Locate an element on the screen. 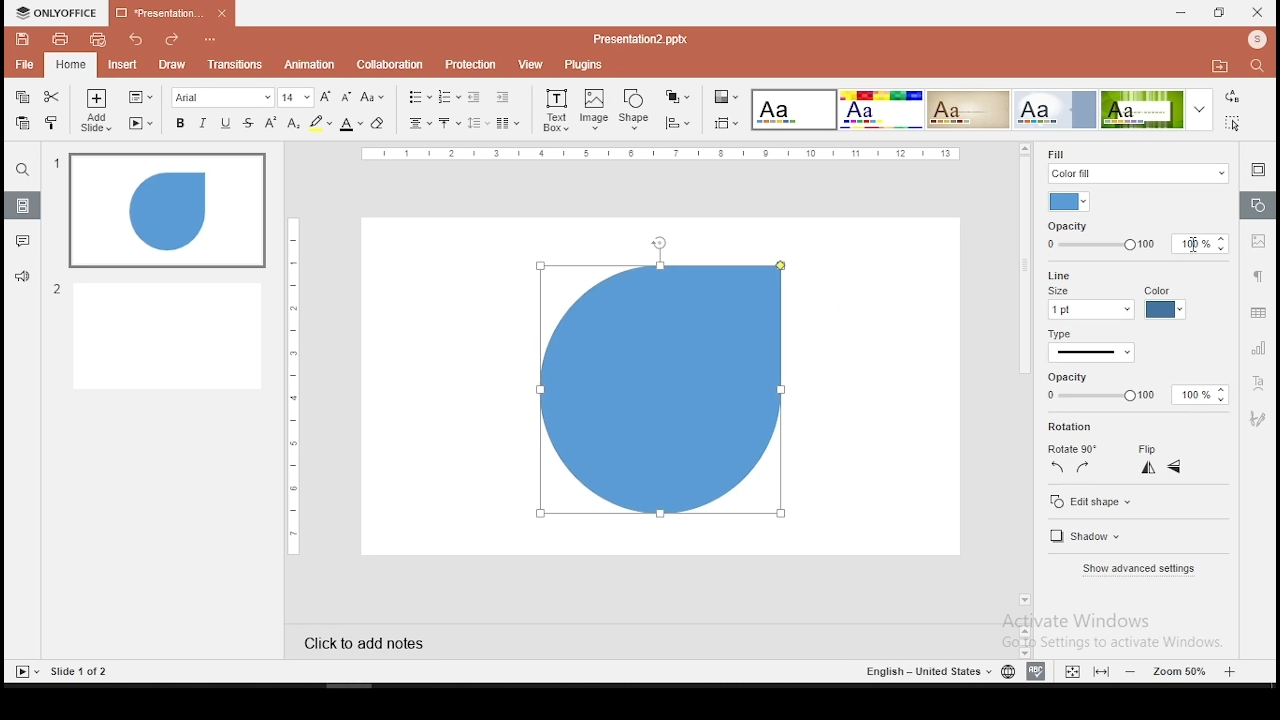  theme is located at coordinates (1056, 109).